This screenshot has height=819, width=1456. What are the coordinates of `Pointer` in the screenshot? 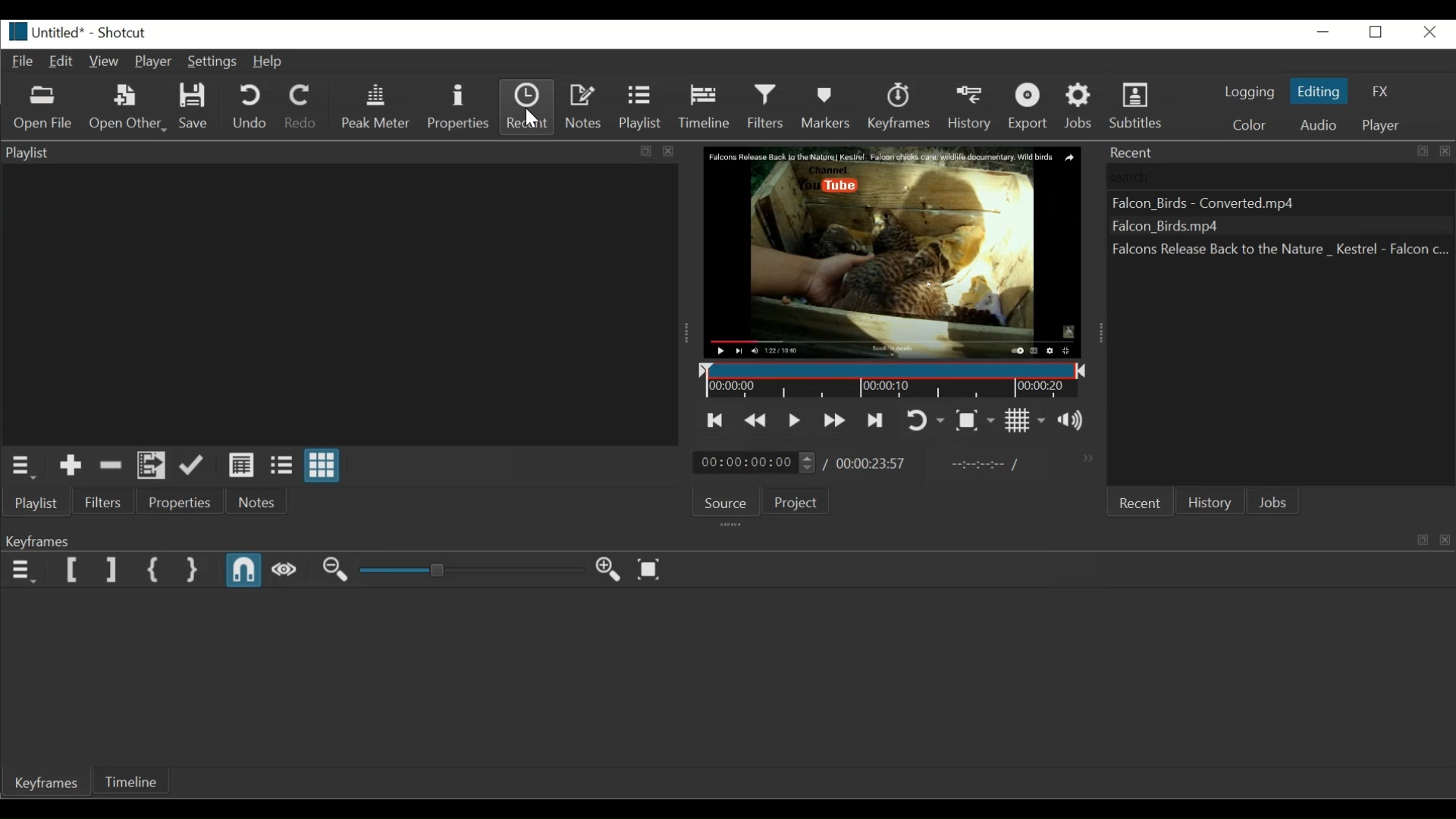 It's located at (533, 120).